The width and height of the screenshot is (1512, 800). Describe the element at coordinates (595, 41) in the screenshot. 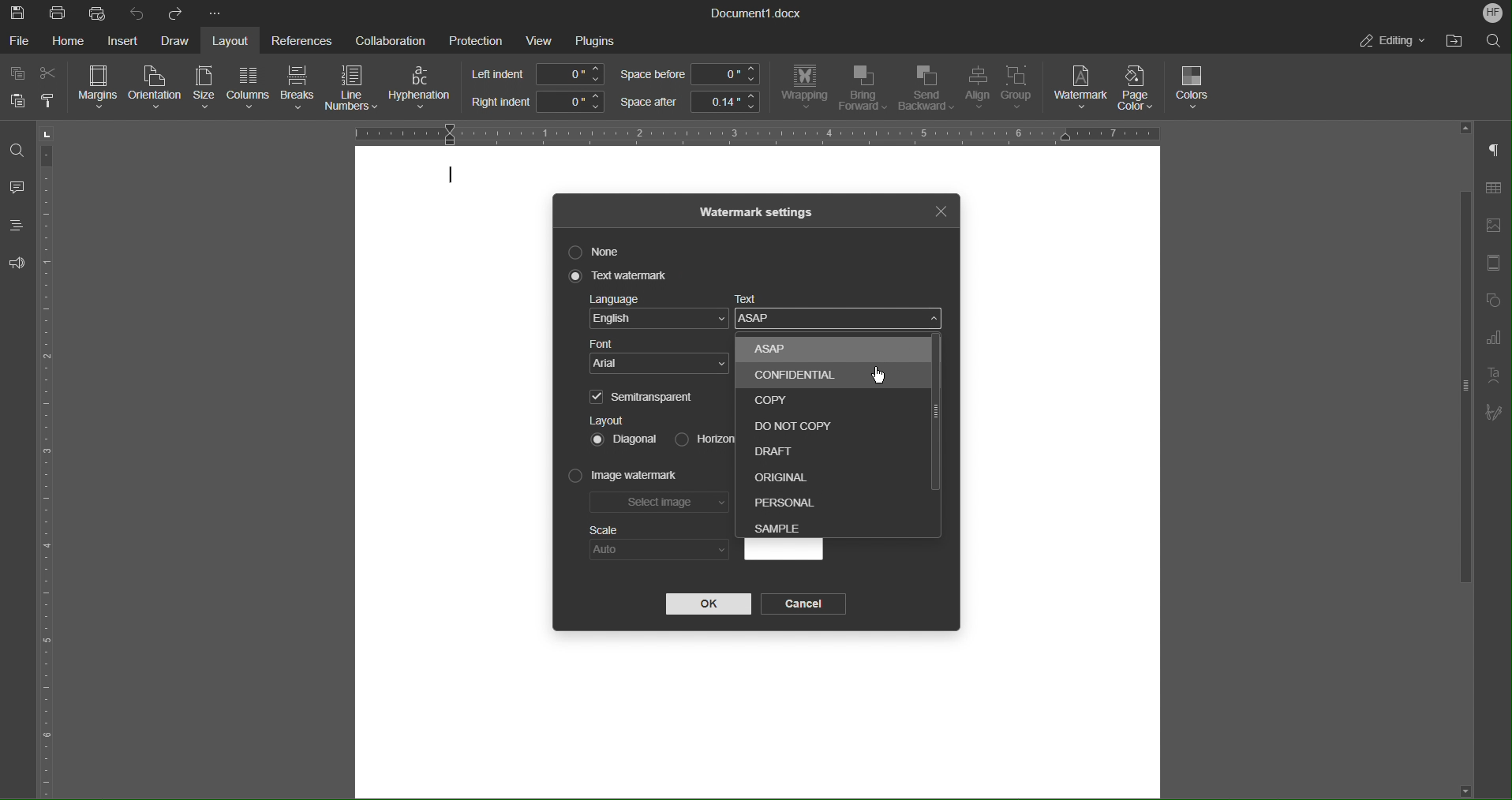

I see `Plugins` at that location.